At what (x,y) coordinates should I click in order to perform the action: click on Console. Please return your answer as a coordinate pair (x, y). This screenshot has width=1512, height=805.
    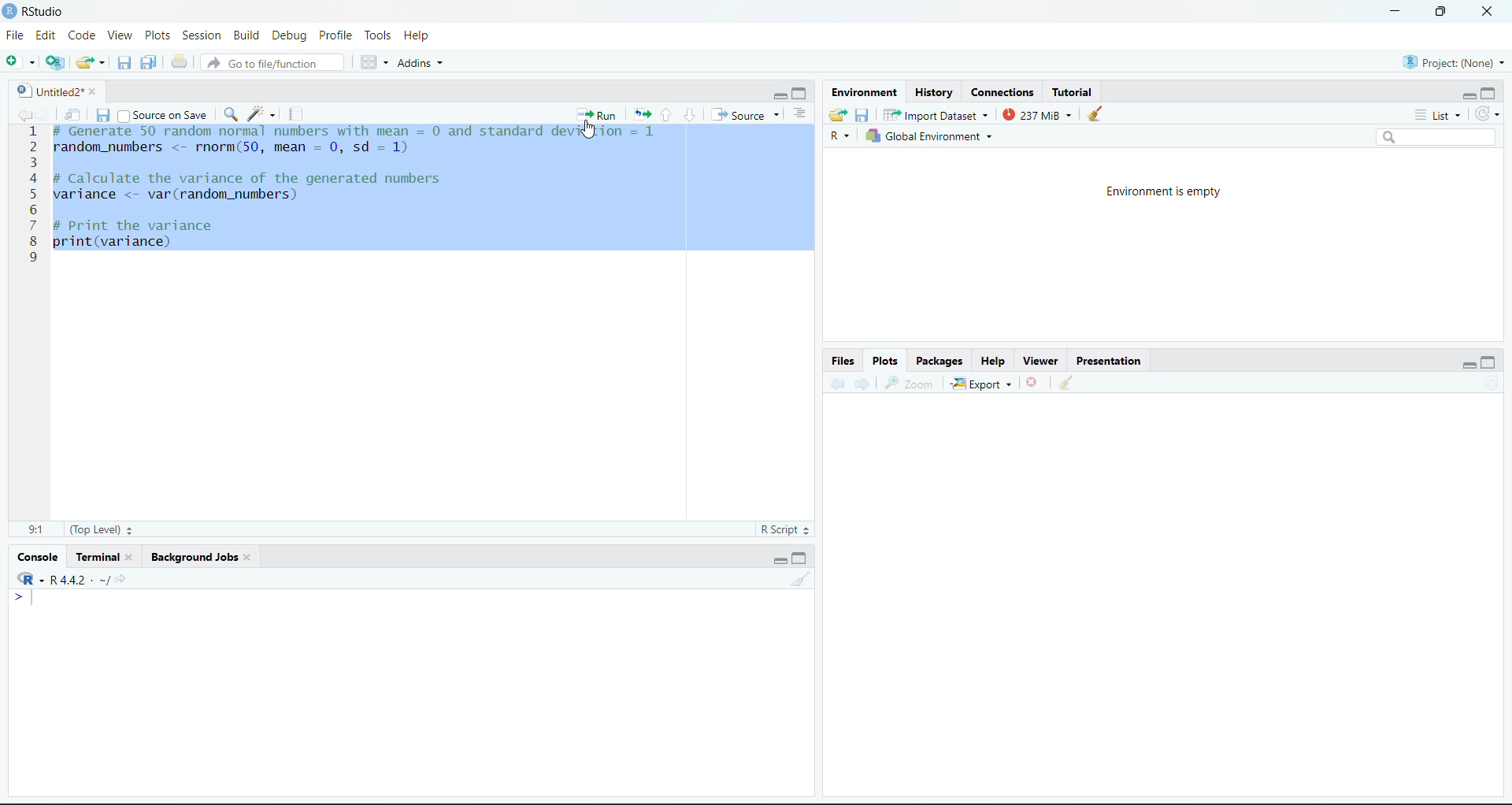
    Looking at the image, I should click on (38, 558).